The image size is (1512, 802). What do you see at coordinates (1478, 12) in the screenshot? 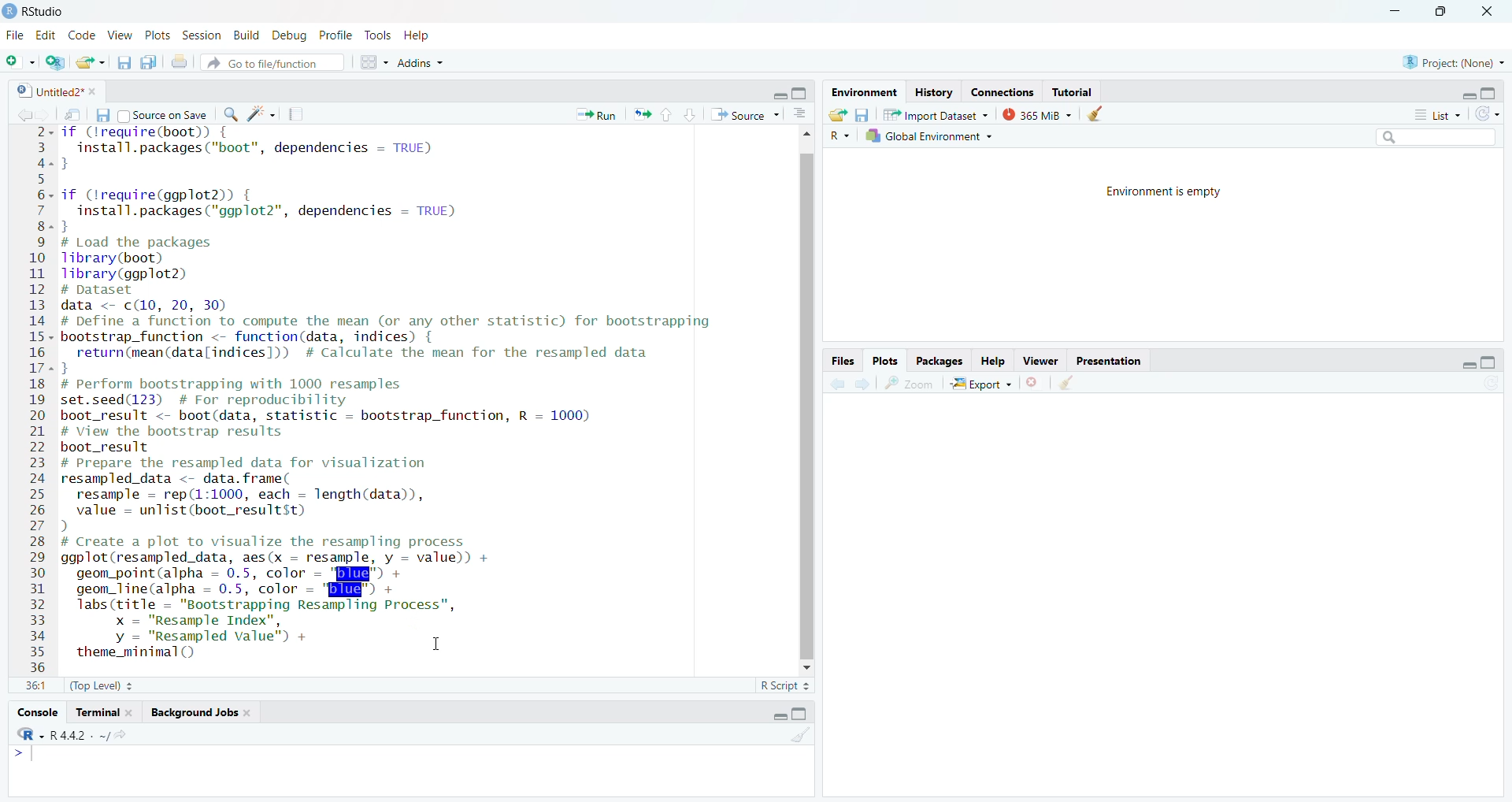
I see `close` at bounding box center [1478, 12].